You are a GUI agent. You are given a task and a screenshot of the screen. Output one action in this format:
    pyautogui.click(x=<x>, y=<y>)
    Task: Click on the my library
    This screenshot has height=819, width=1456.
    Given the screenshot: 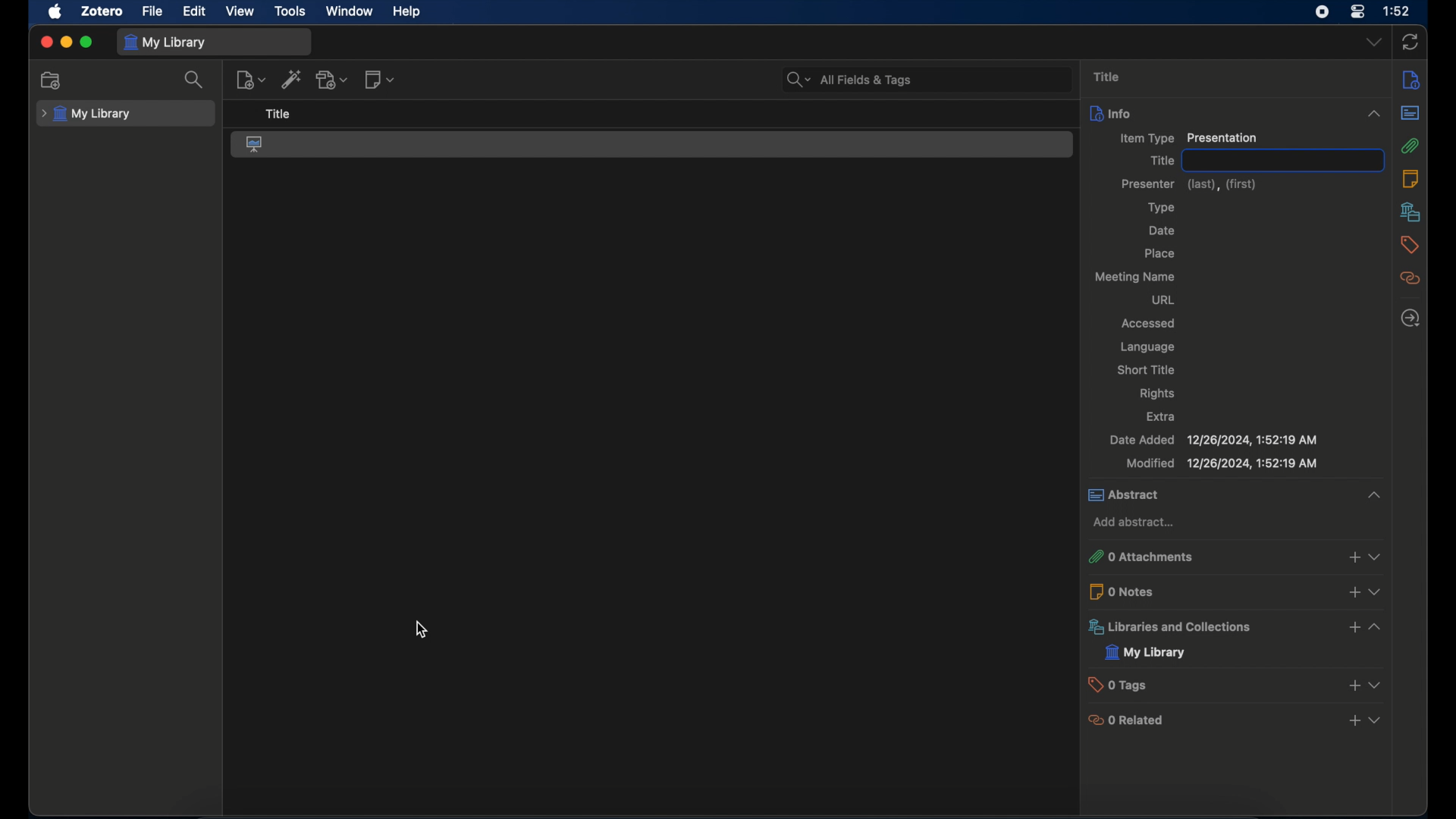 What is the action you would take?
    pyautogui.click(x=1146, y=652)
    